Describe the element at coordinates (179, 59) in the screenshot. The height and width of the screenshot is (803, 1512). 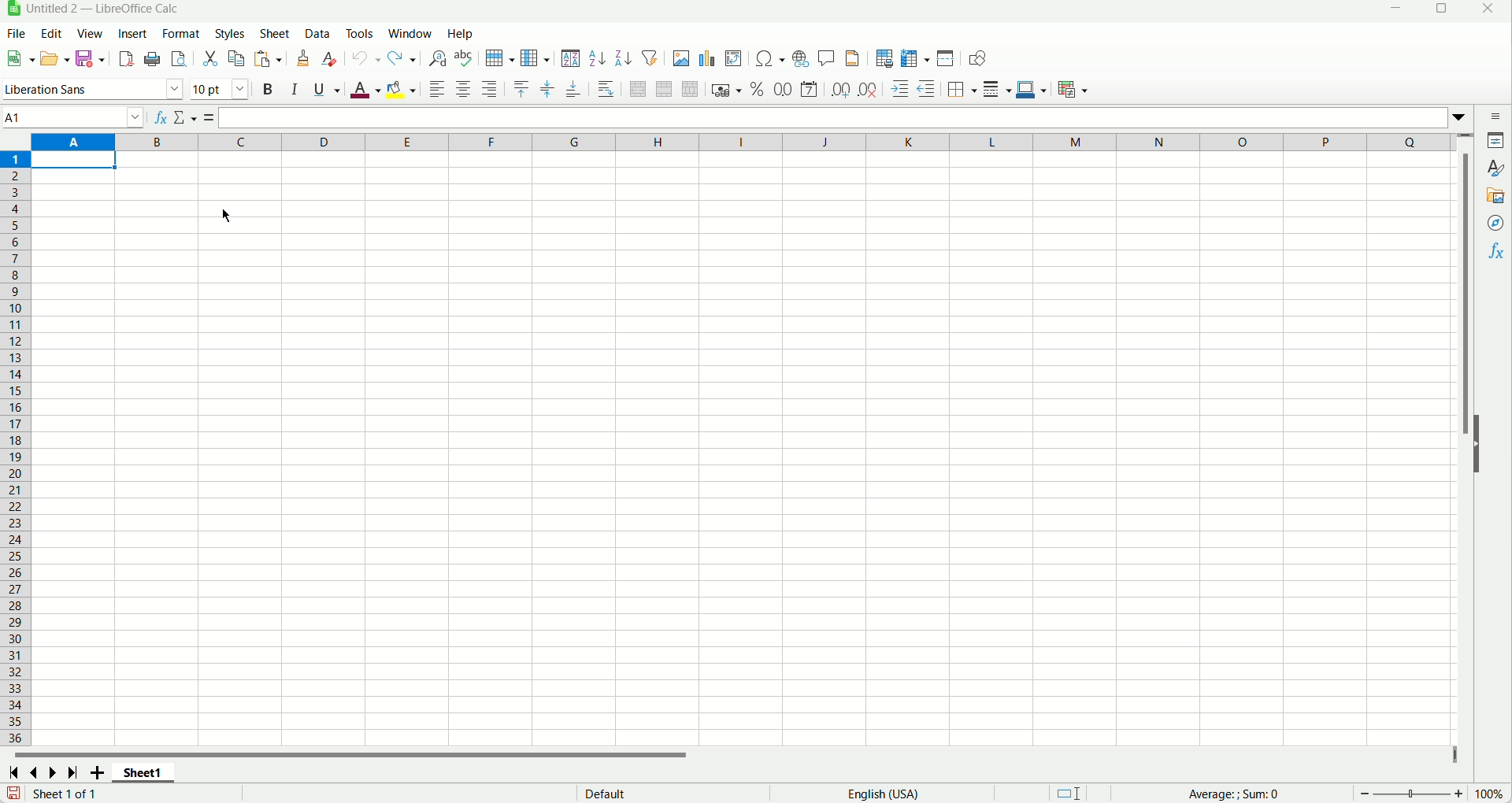
I see `Print preview` at that location.